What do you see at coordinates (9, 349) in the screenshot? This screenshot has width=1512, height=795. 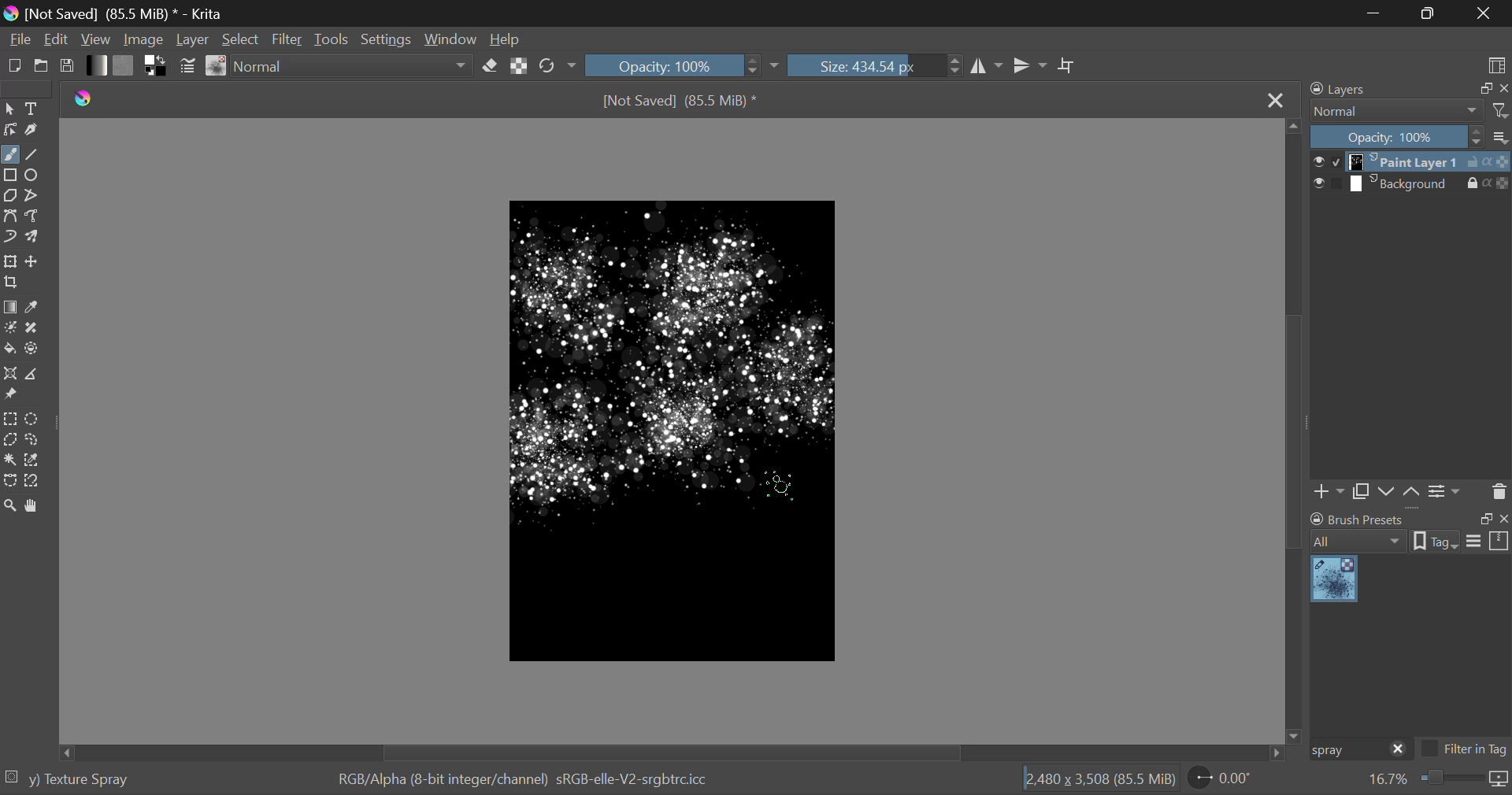 I see `Fill` at bounding box center [9, 349].